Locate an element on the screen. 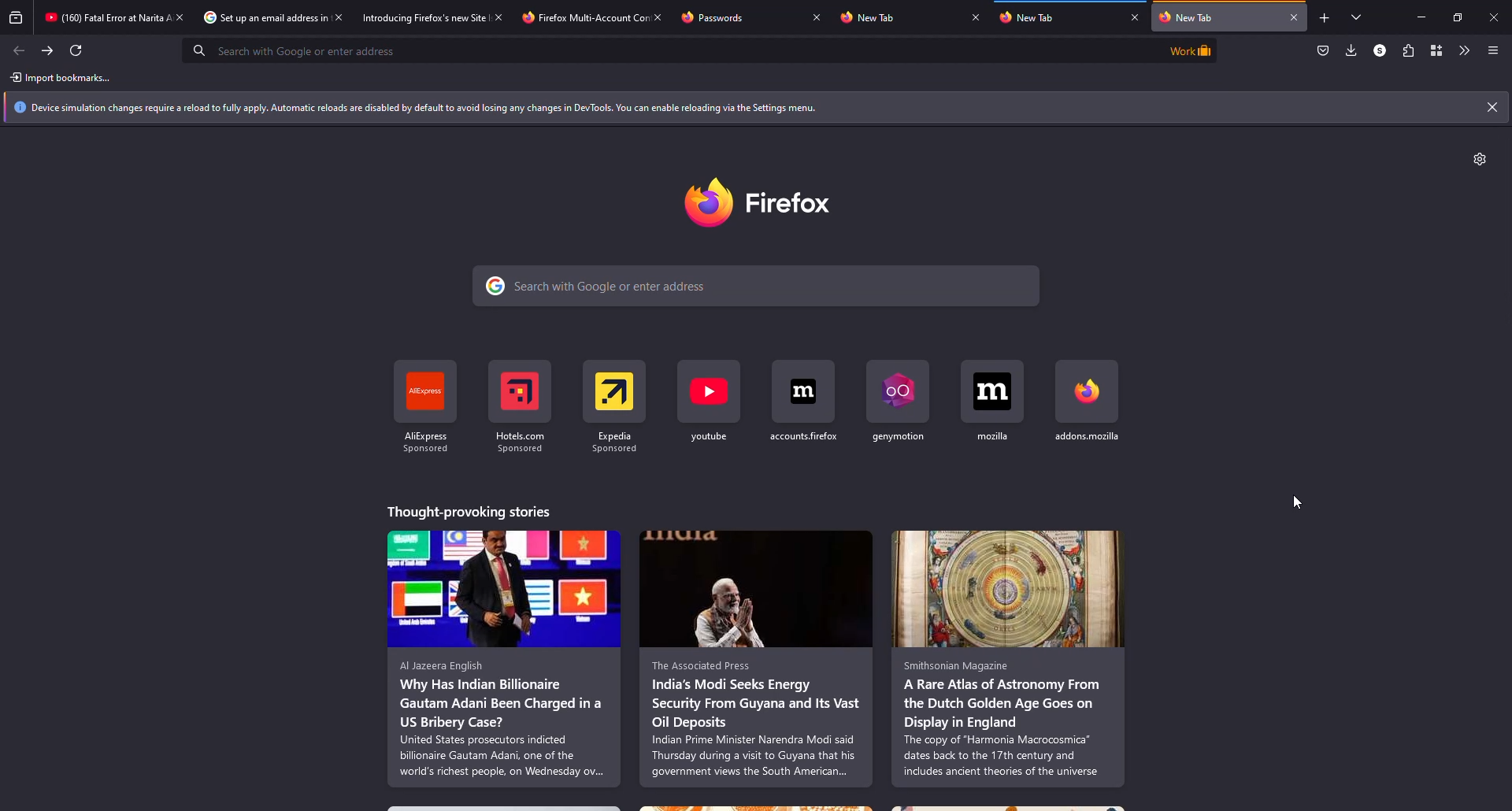  tab is located at coordinates (420, 19).